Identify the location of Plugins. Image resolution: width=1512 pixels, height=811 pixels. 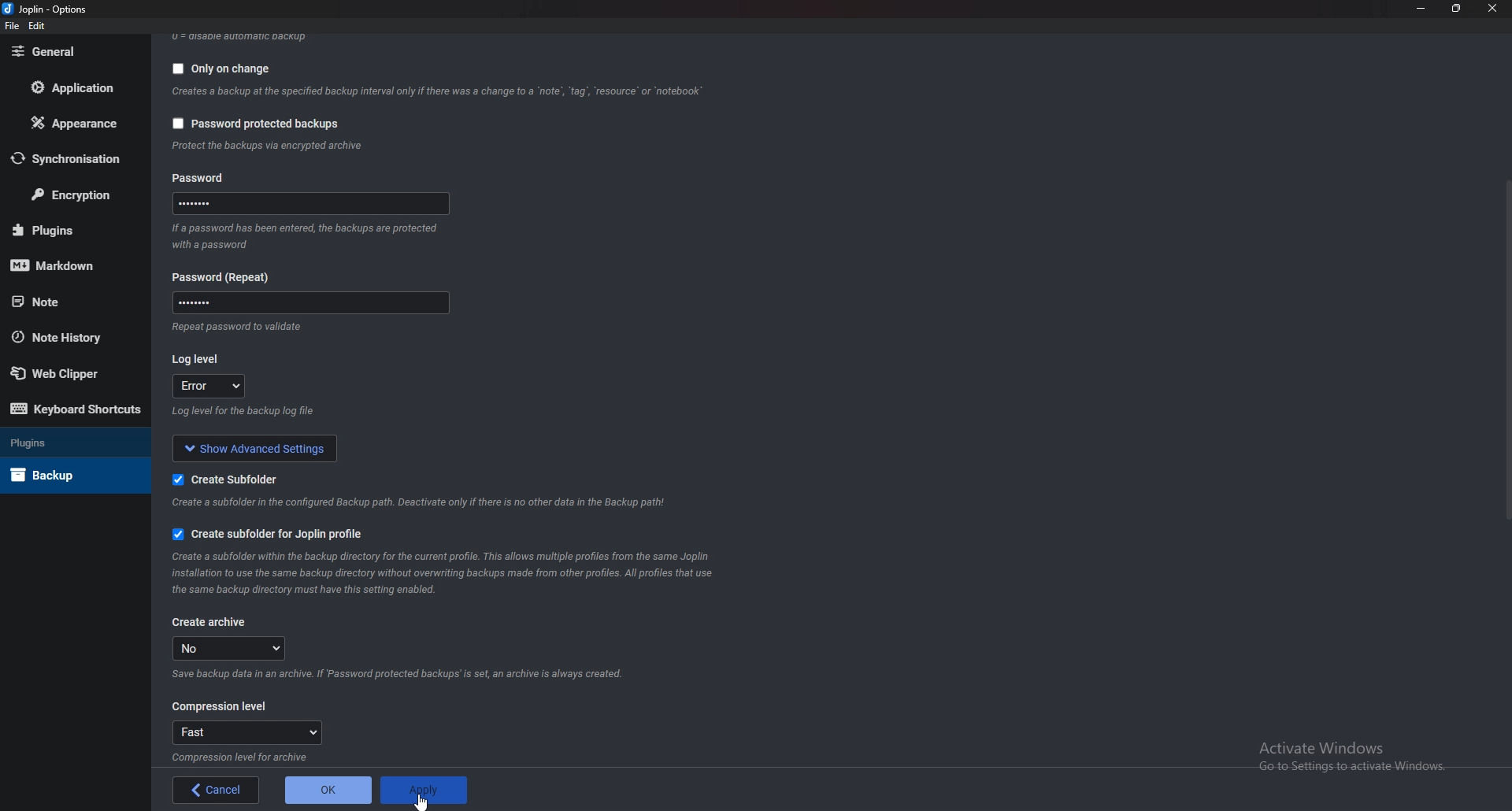
(61, 442).